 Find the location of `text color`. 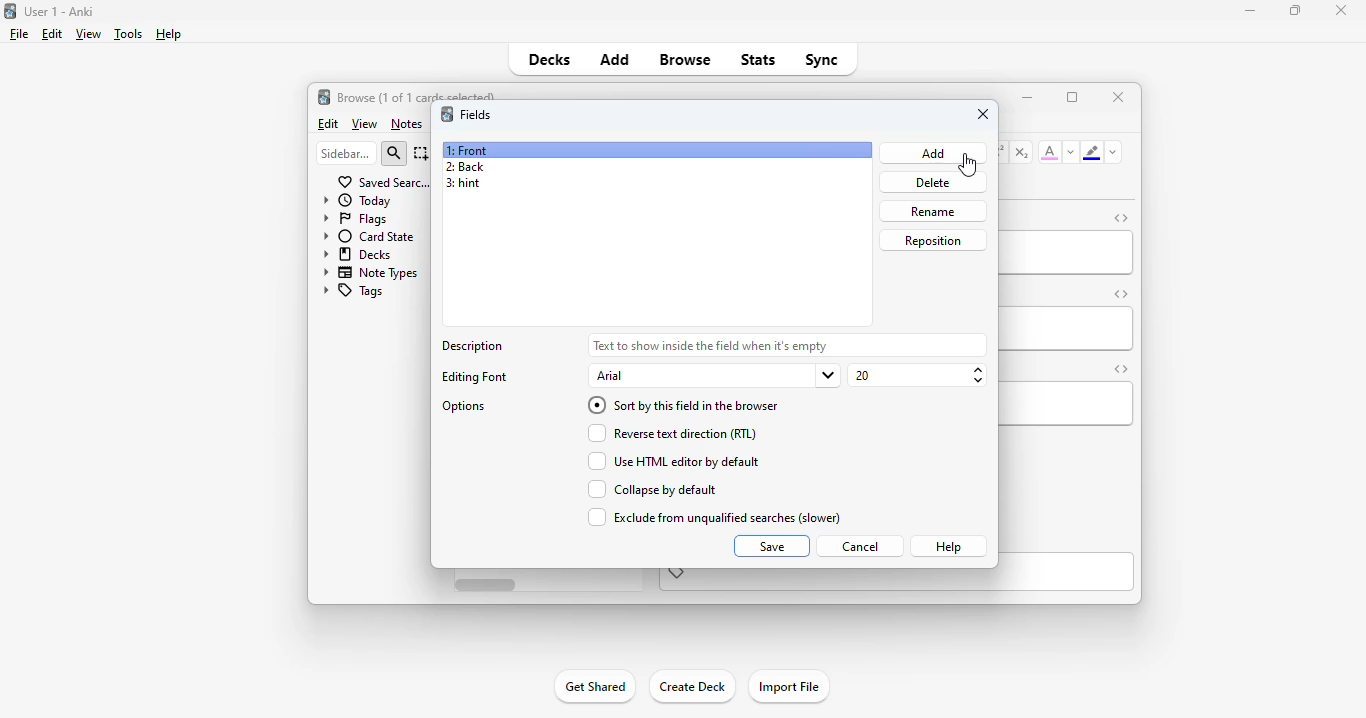

text color is located at coordinates (1050, 151).